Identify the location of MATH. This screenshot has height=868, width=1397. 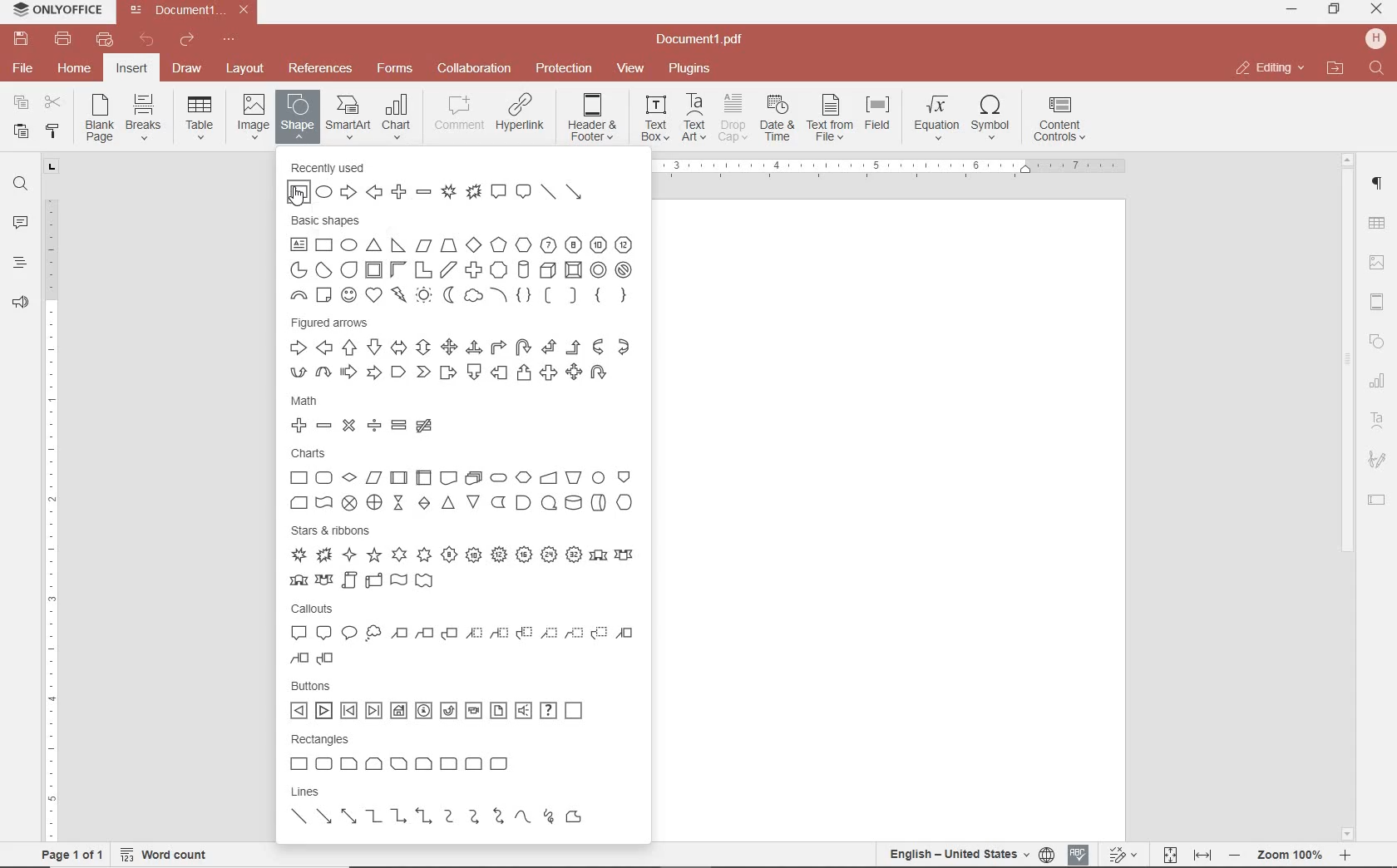
(413, 417).